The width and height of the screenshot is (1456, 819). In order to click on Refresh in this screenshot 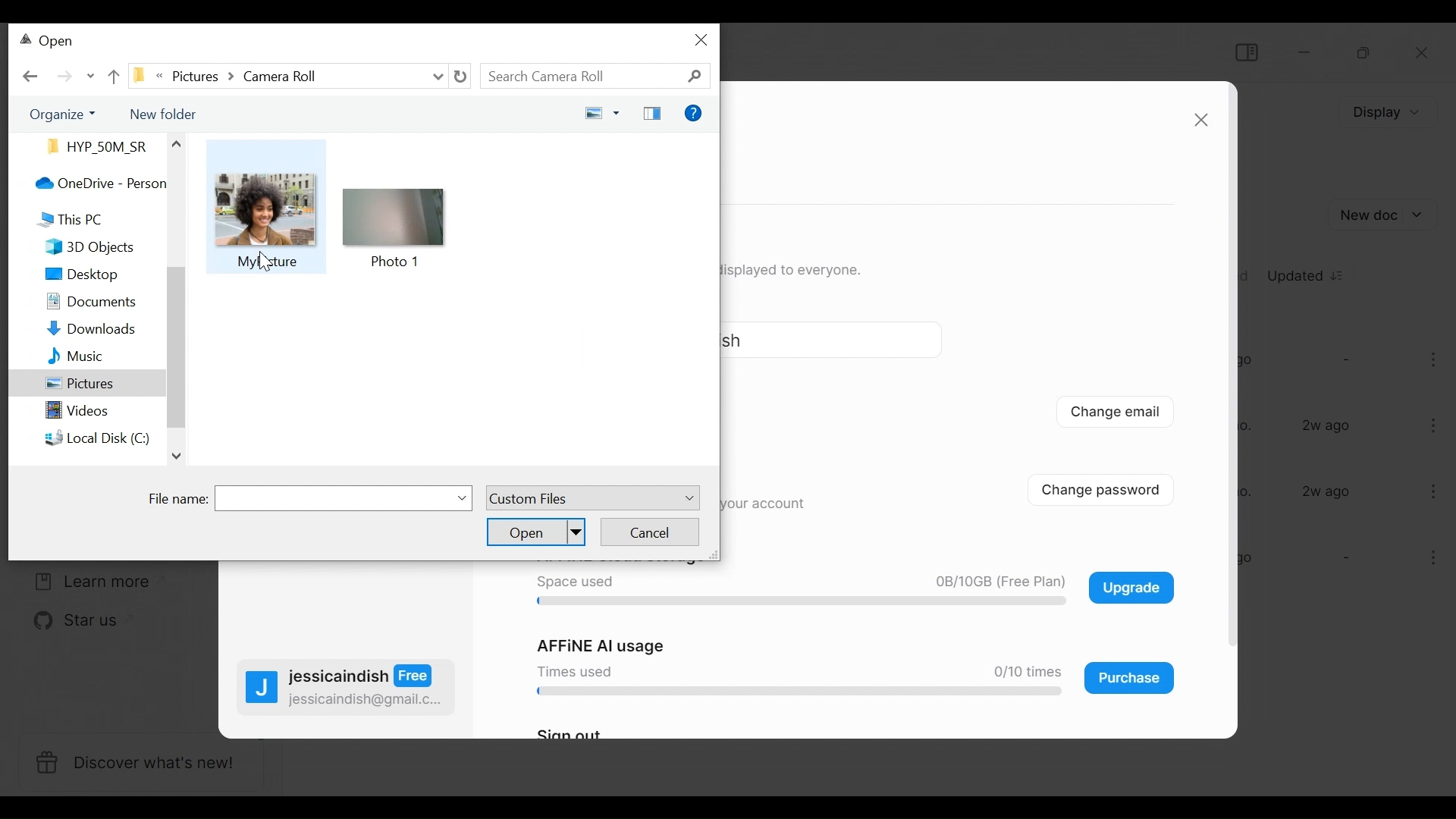, I will do `click(460, 77)`.